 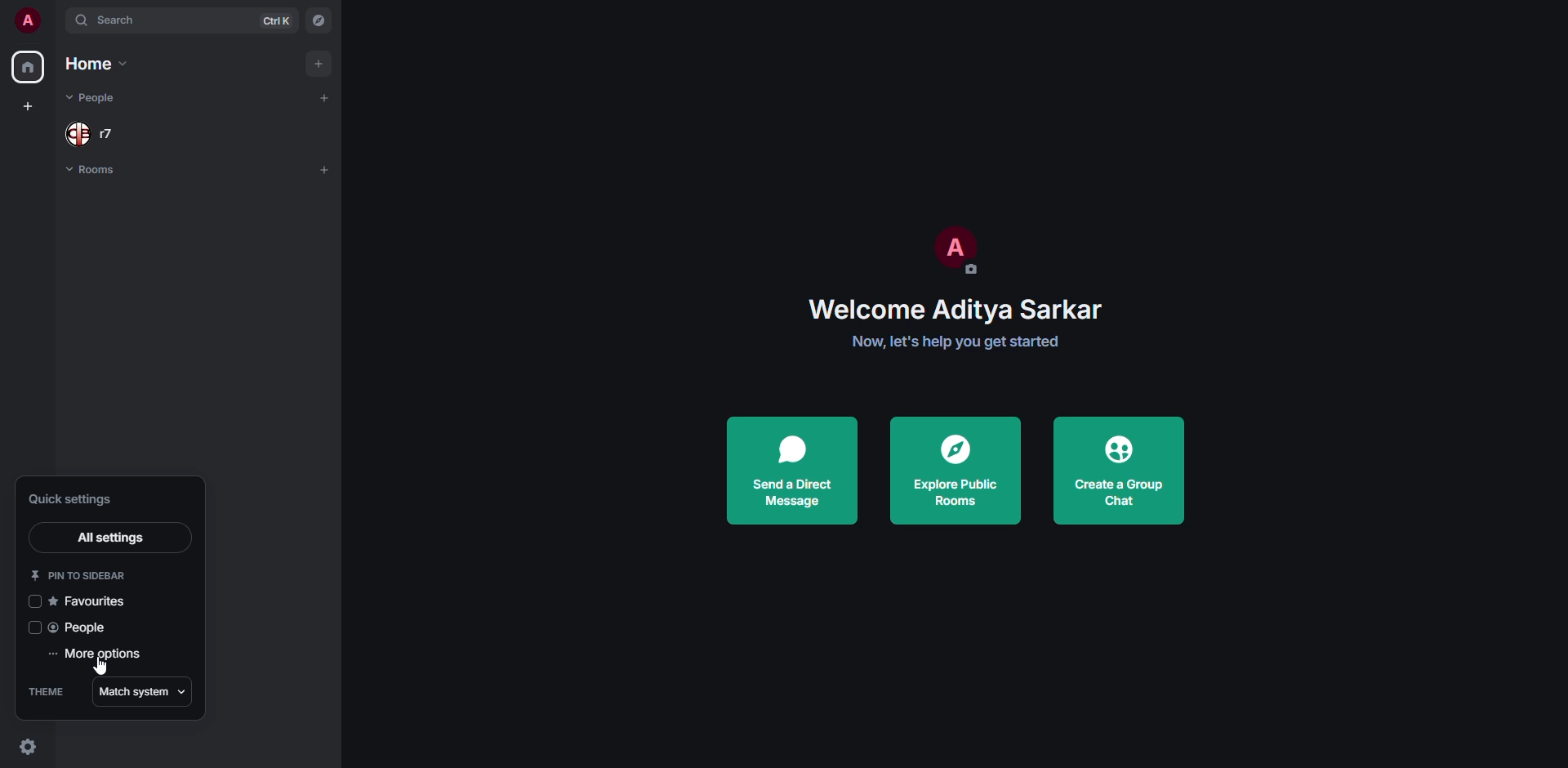 What do you see at coordinates (318, 64) in the screenshot?
I see `add` at bounding box center [318, 64].